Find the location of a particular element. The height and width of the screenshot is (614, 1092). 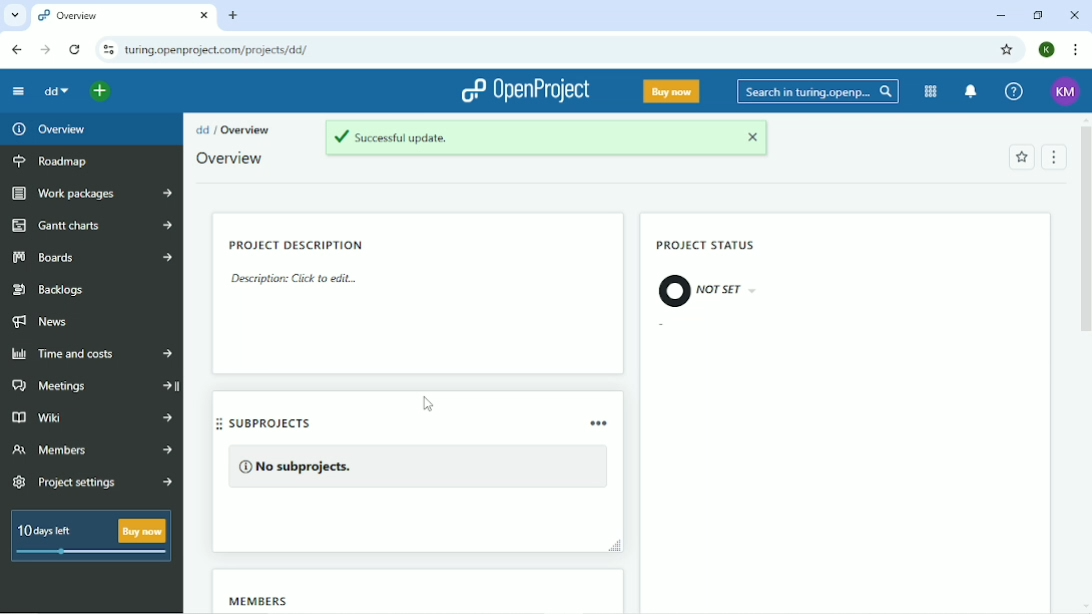

Help is located at coordinates (1014, 90).